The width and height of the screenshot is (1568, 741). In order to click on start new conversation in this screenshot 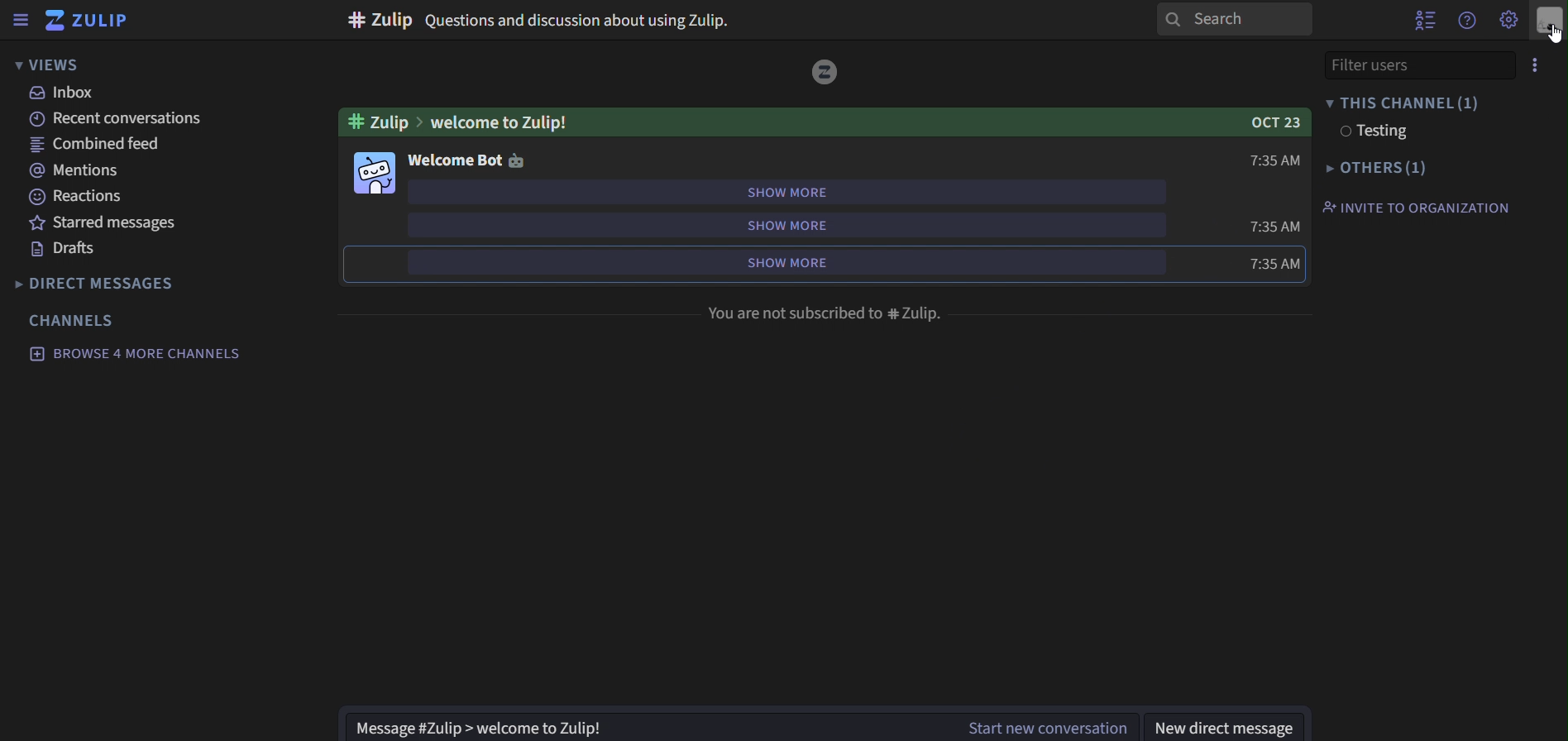, I will do `click(1052, 724)`.